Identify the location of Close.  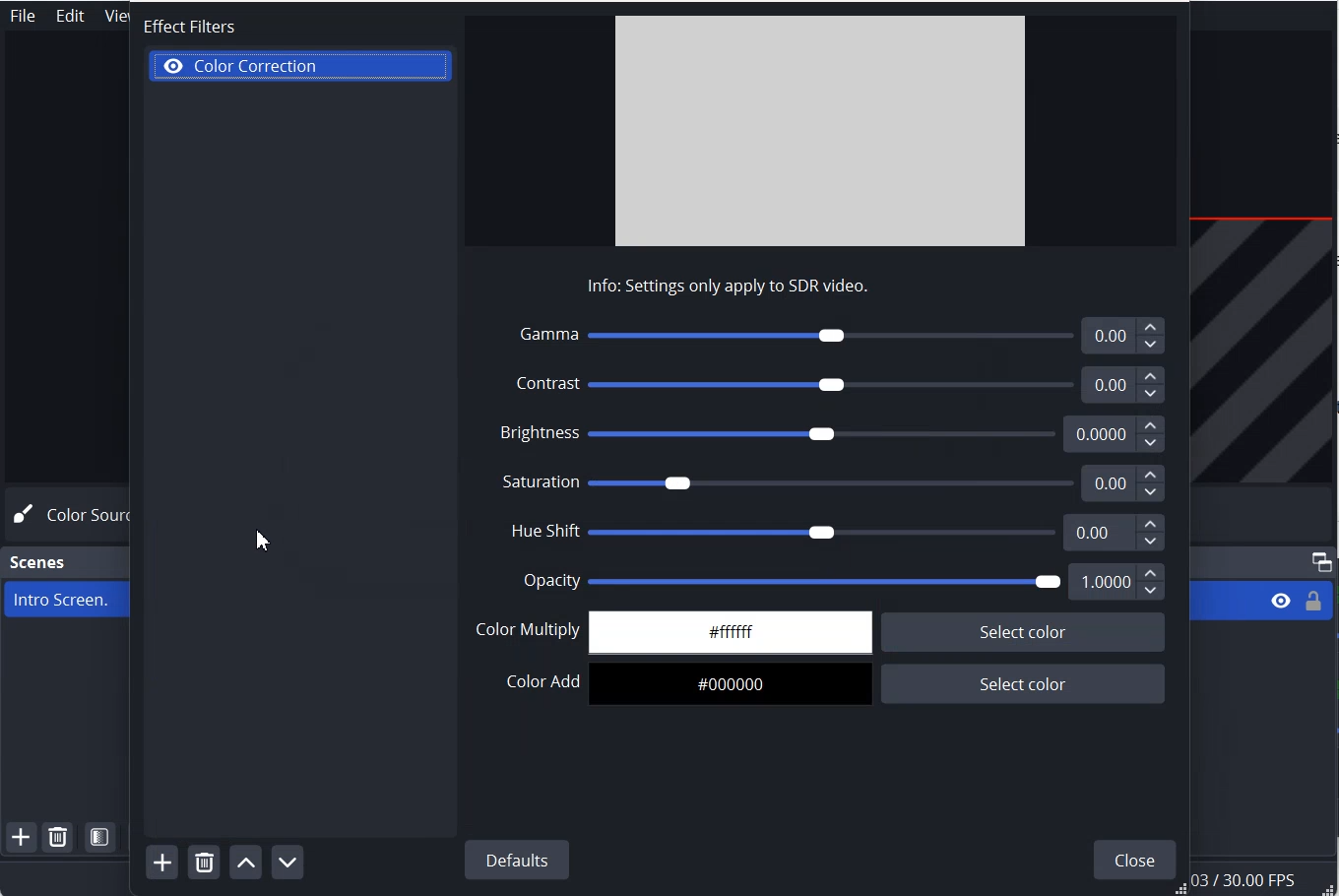
(1130, 857).